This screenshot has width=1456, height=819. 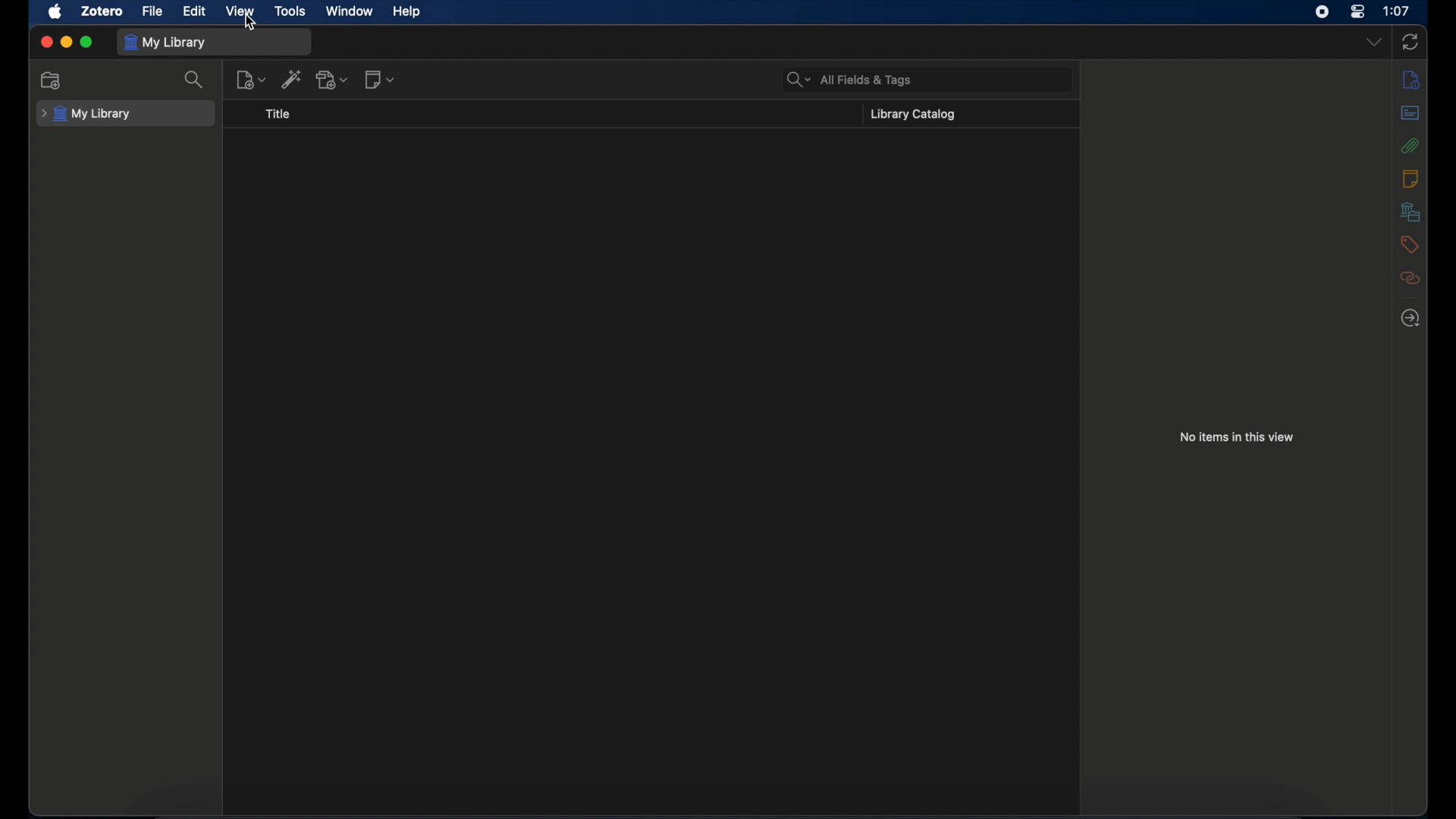 I want to click on file, so click(x=153, y=11).